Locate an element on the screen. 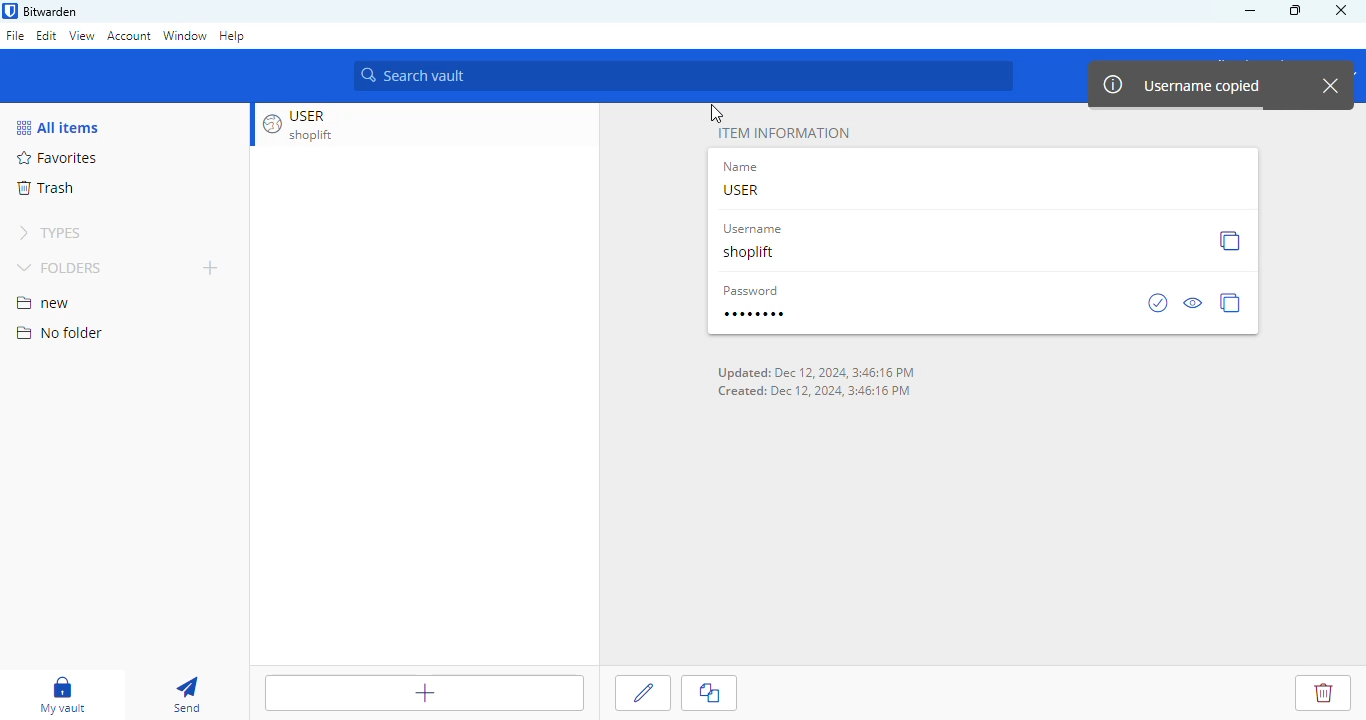 The height and width of the screenshot is (720, 1366). Created: Dec 12, 2024, 3:46:16 PM is located at coordinates (816, 391).